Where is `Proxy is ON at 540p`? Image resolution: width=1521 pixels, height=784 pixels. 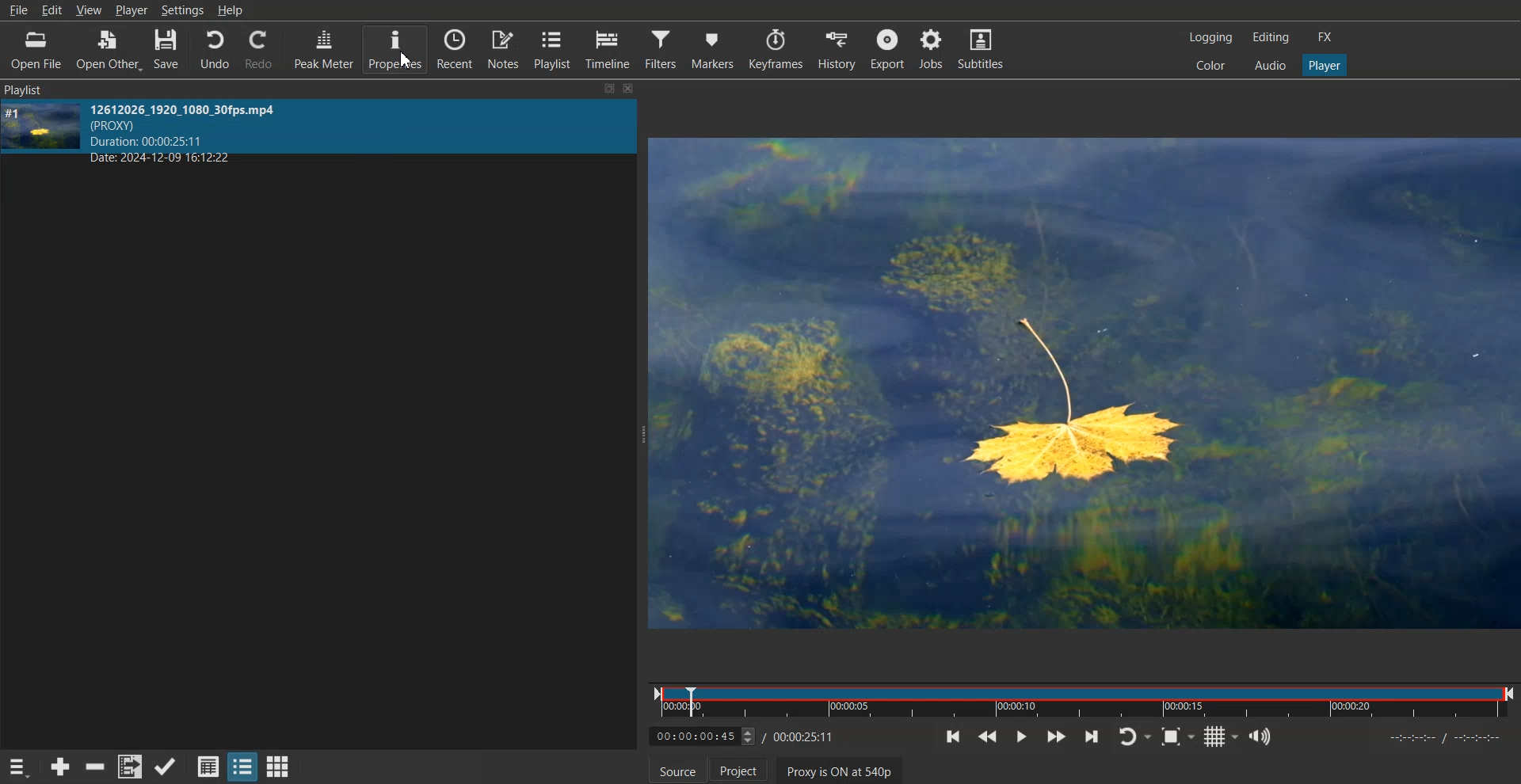 Proxy is ON at 540p is located at coordinates (840, 770).